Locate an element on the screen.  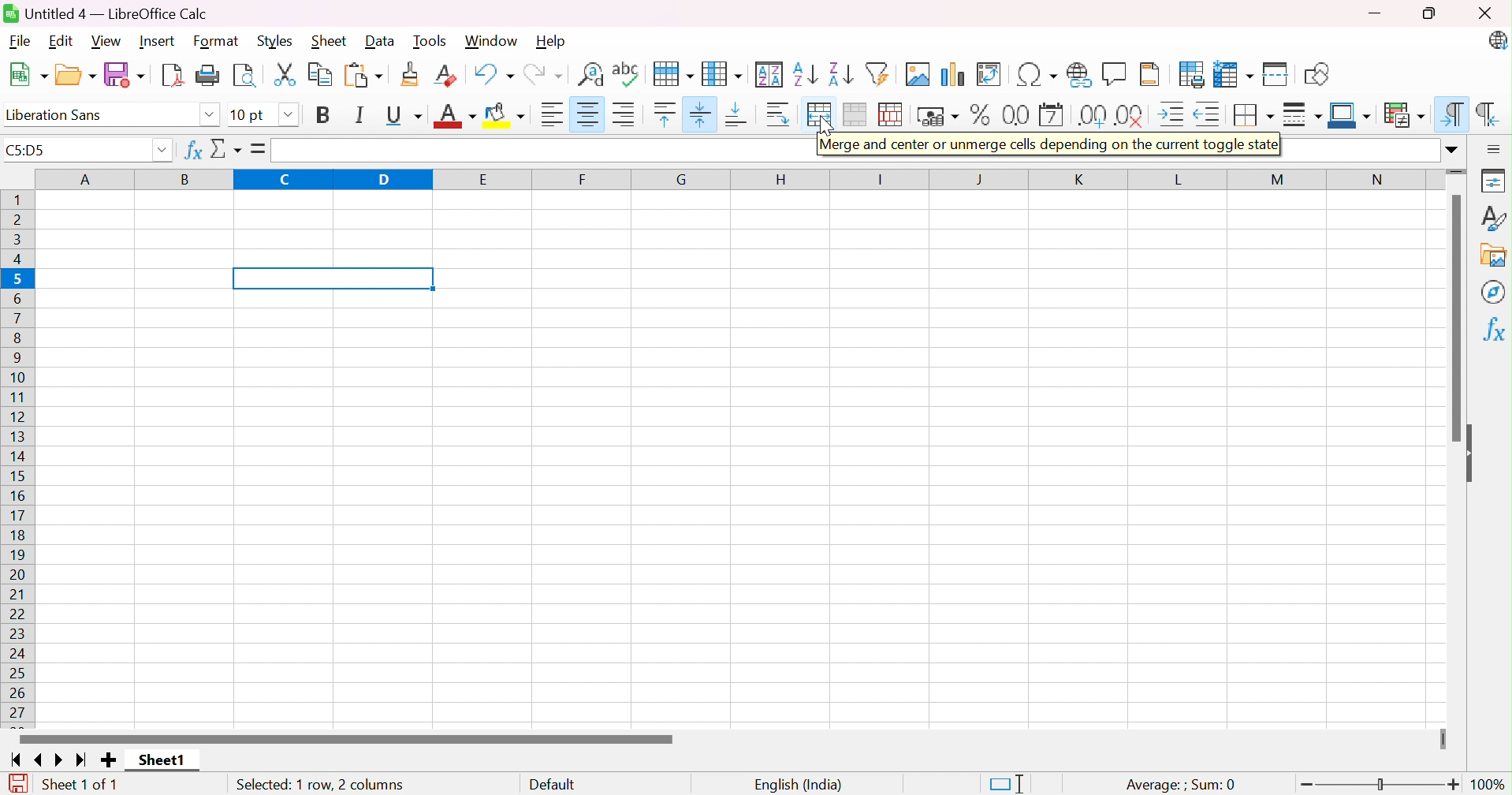
Freeze Rows and Columns is located at coordinates (1235, 74).